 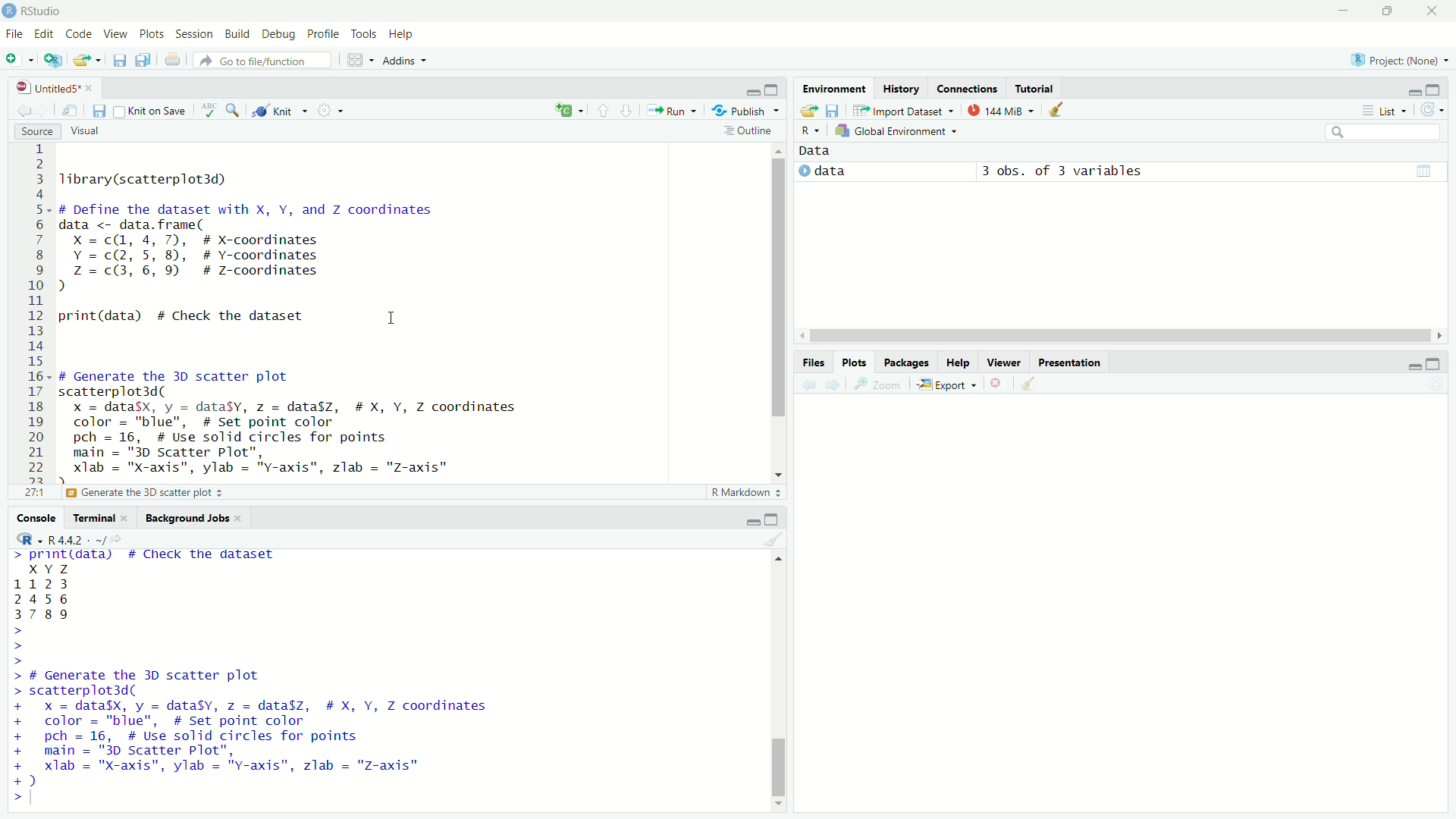 What do you see at coordinates (1057, 108) in the screenshot?
I see `clear object from the workspace` at bounding box center [1057, 108].